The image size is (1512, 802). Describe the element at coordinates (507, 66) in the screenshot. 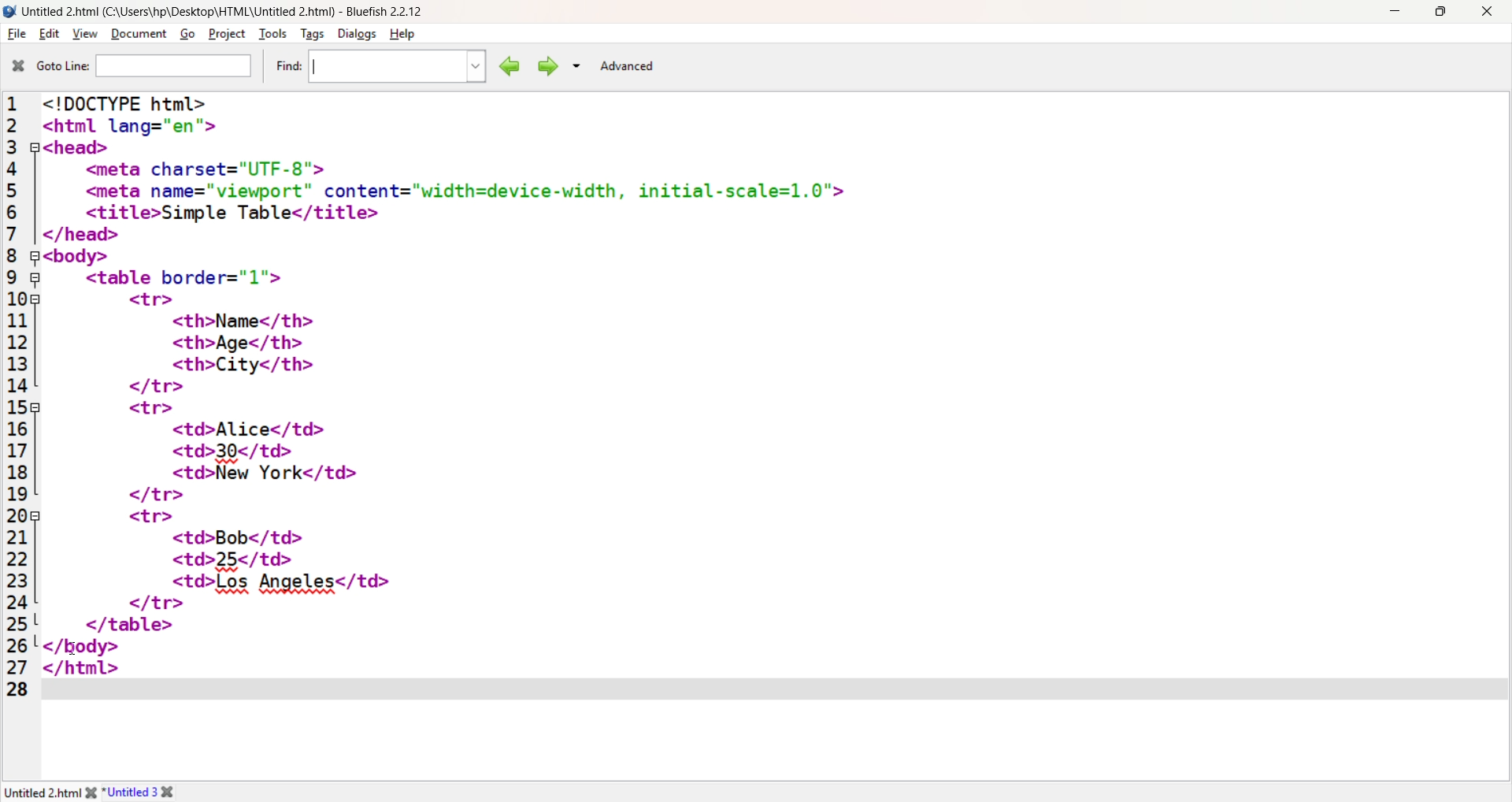

I see `Find Previous` at that location.